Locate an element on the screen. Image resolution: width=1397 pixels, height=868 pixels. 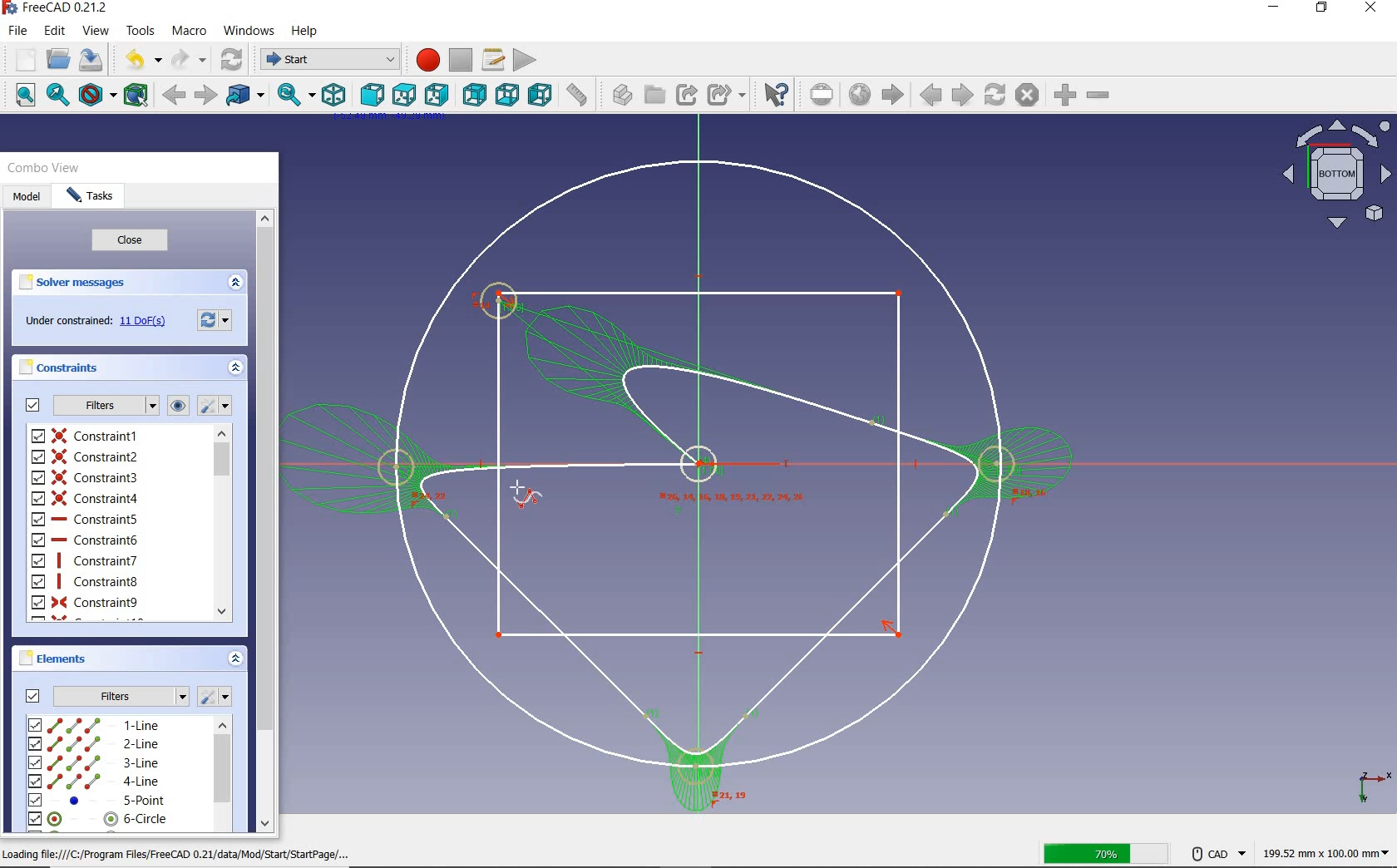
right is located at coordinates (437, 94).